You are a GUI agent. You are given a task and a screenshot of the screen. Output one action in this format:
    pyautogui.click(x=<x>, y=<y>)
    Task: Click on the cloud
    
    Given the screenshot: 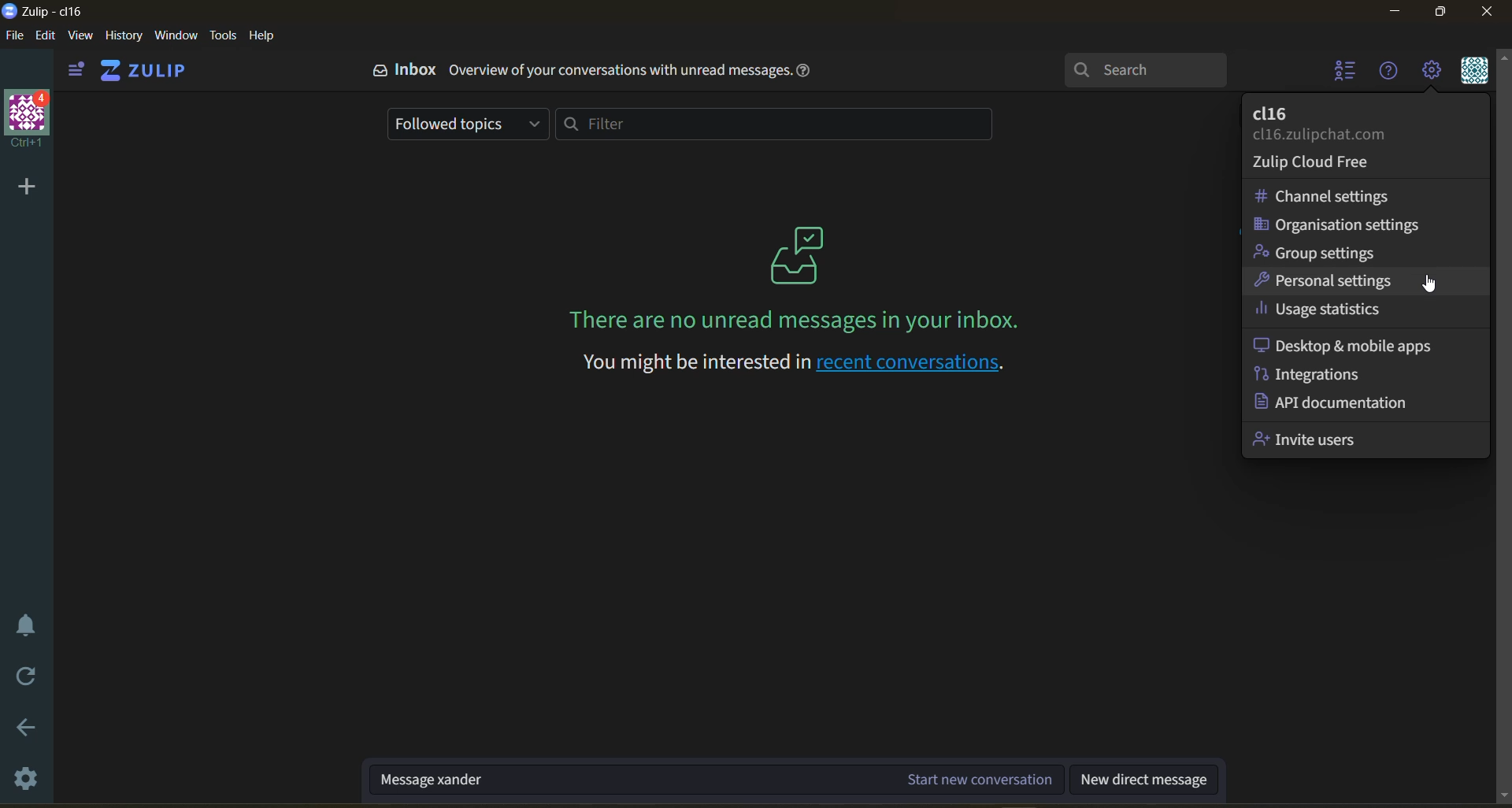 What is the action you would take?
    pyautogui.click(x=1311, y=164)
    